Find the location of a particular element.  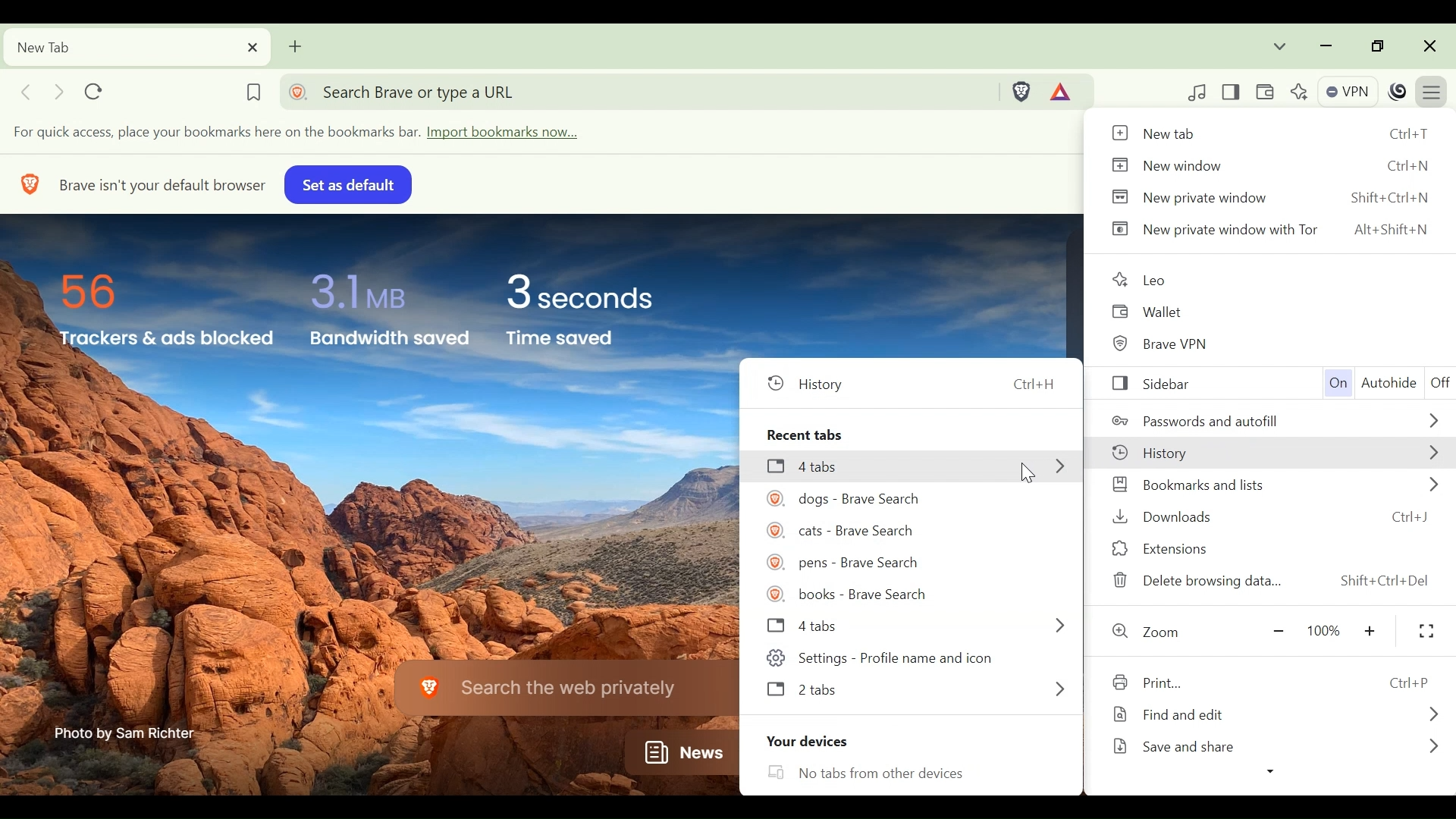

Recent tabs is located at coordinates (807, 432).